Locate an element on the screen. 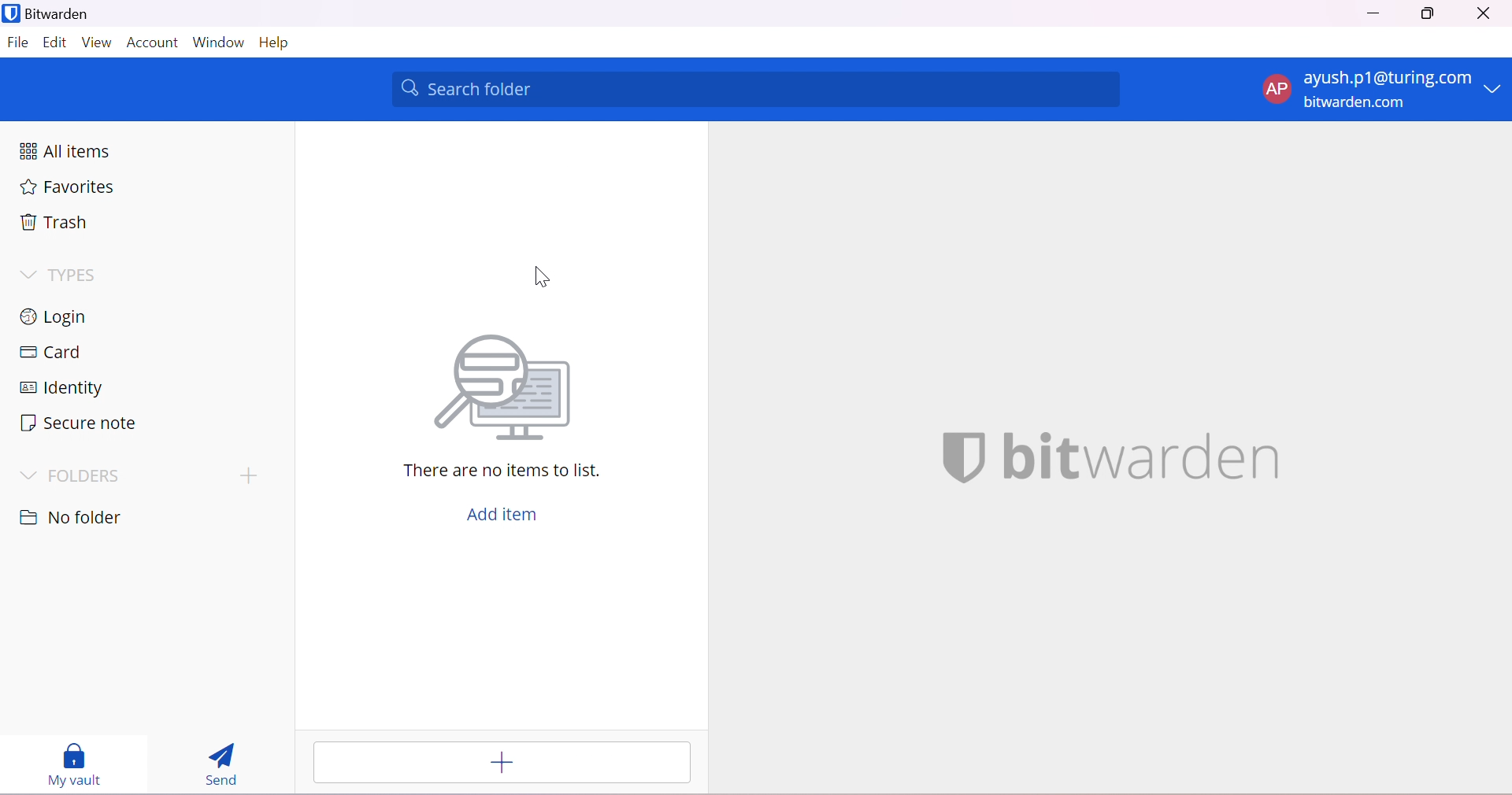  Search folder is located at coordinates (758, 89).